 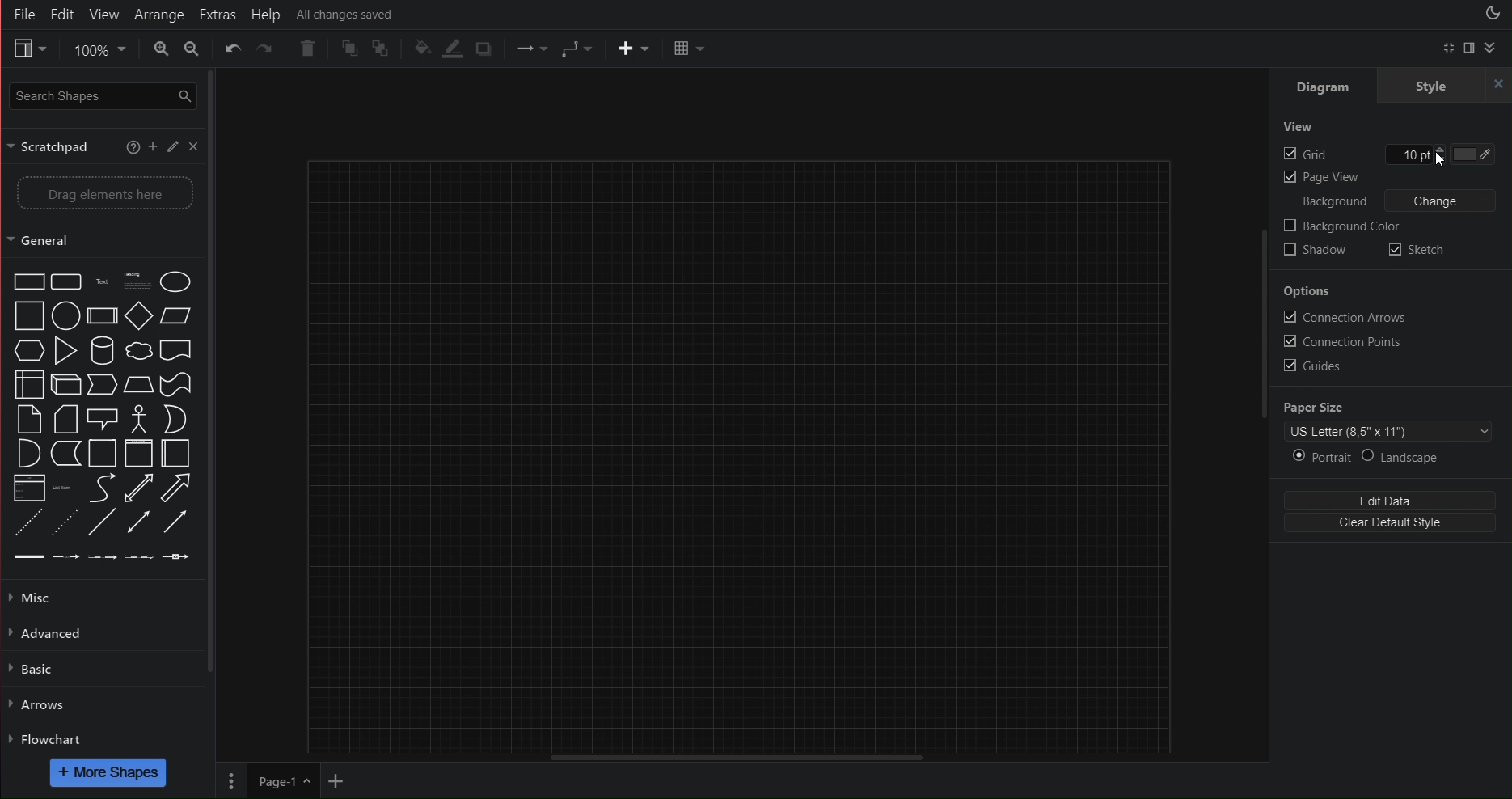 What do you see at coordinates (1443, 160) in the screenshot?
I see `cursor` at bounding box center [1443, 160].